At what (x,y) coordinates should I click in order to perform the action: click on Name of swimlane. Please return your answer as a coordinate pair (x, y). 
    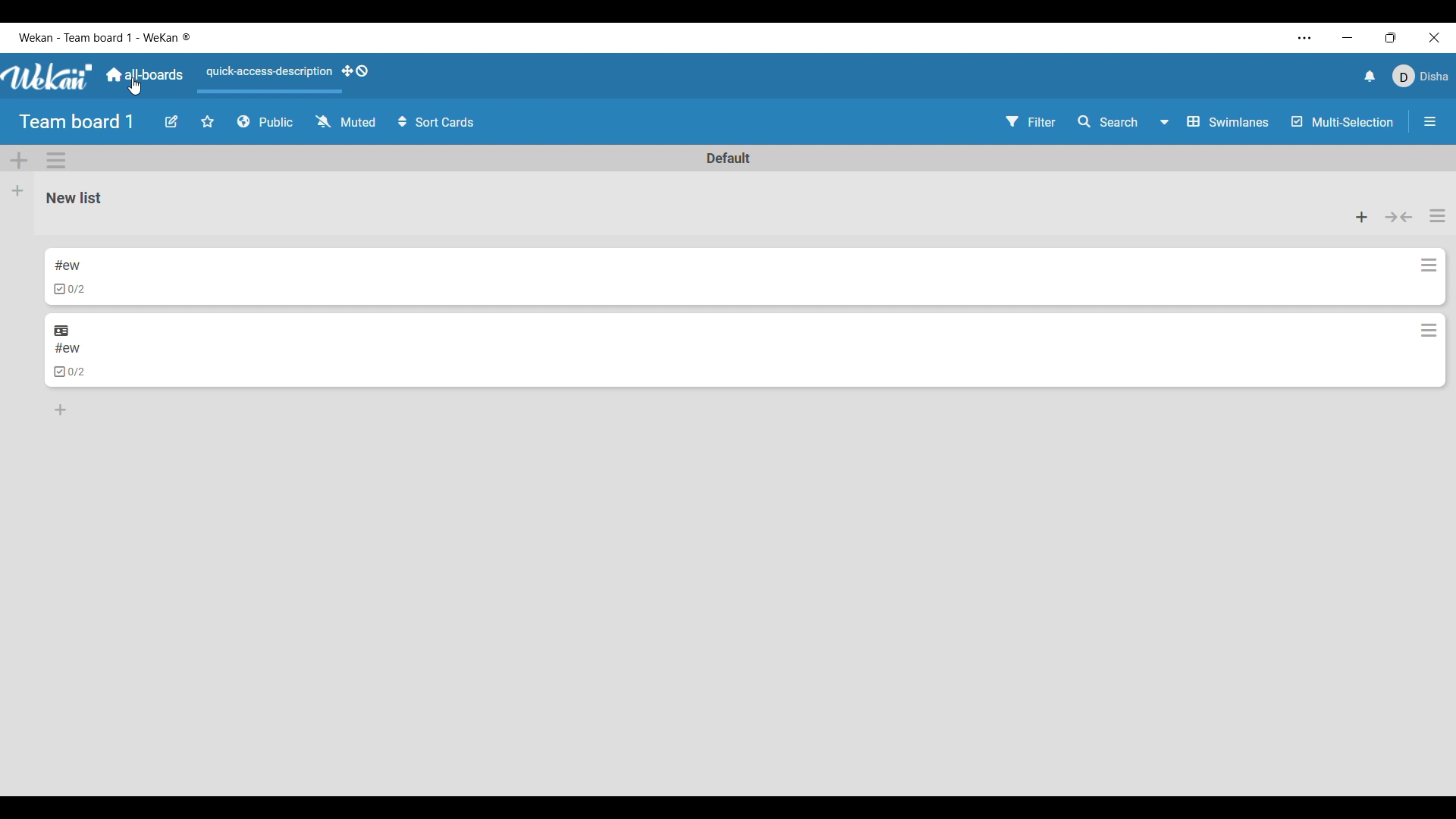
    Looking at the image, I should click on (728, 158).